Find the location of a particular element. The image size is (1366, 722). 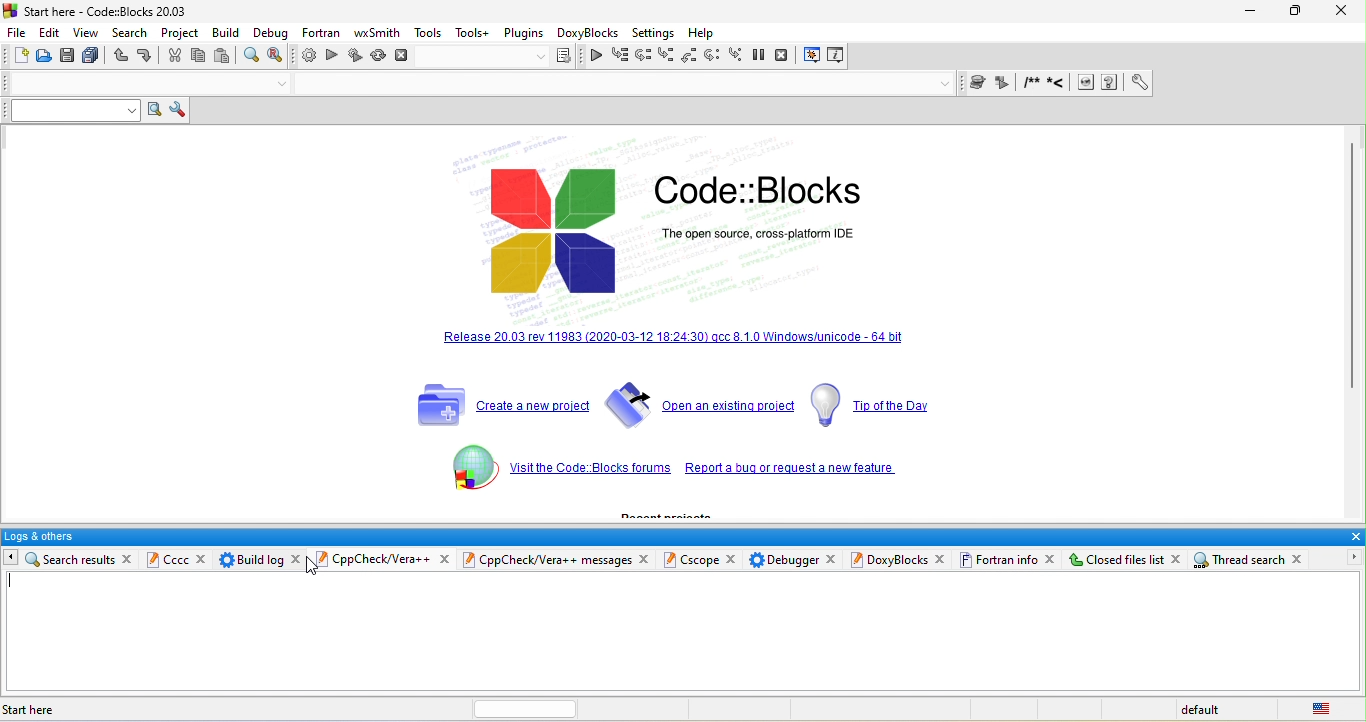

close is located at coordinates (1052, 557).